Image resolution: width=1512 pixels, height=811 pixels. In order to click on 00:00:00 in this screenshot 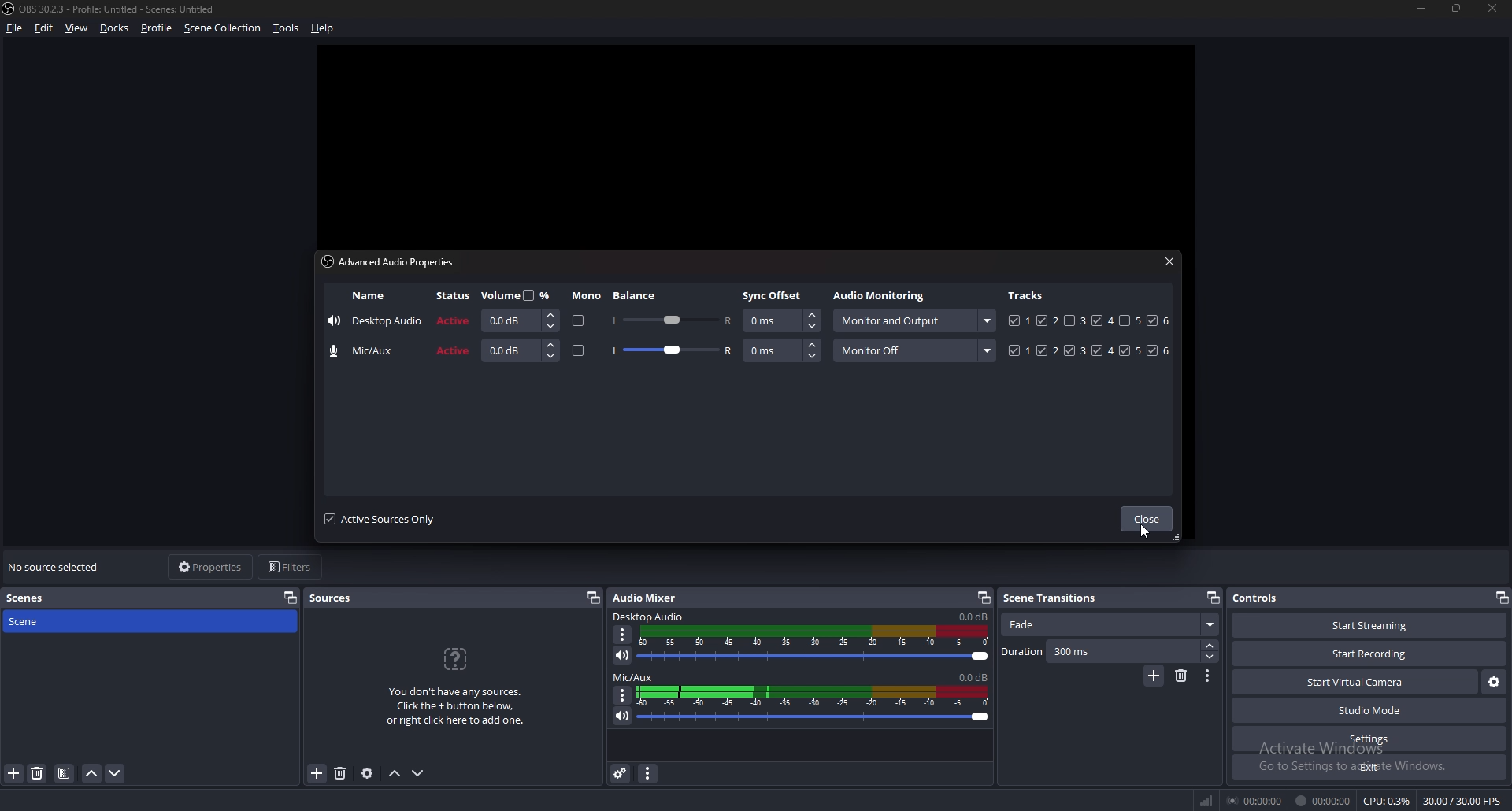, I will do `click(1323, 802)`.